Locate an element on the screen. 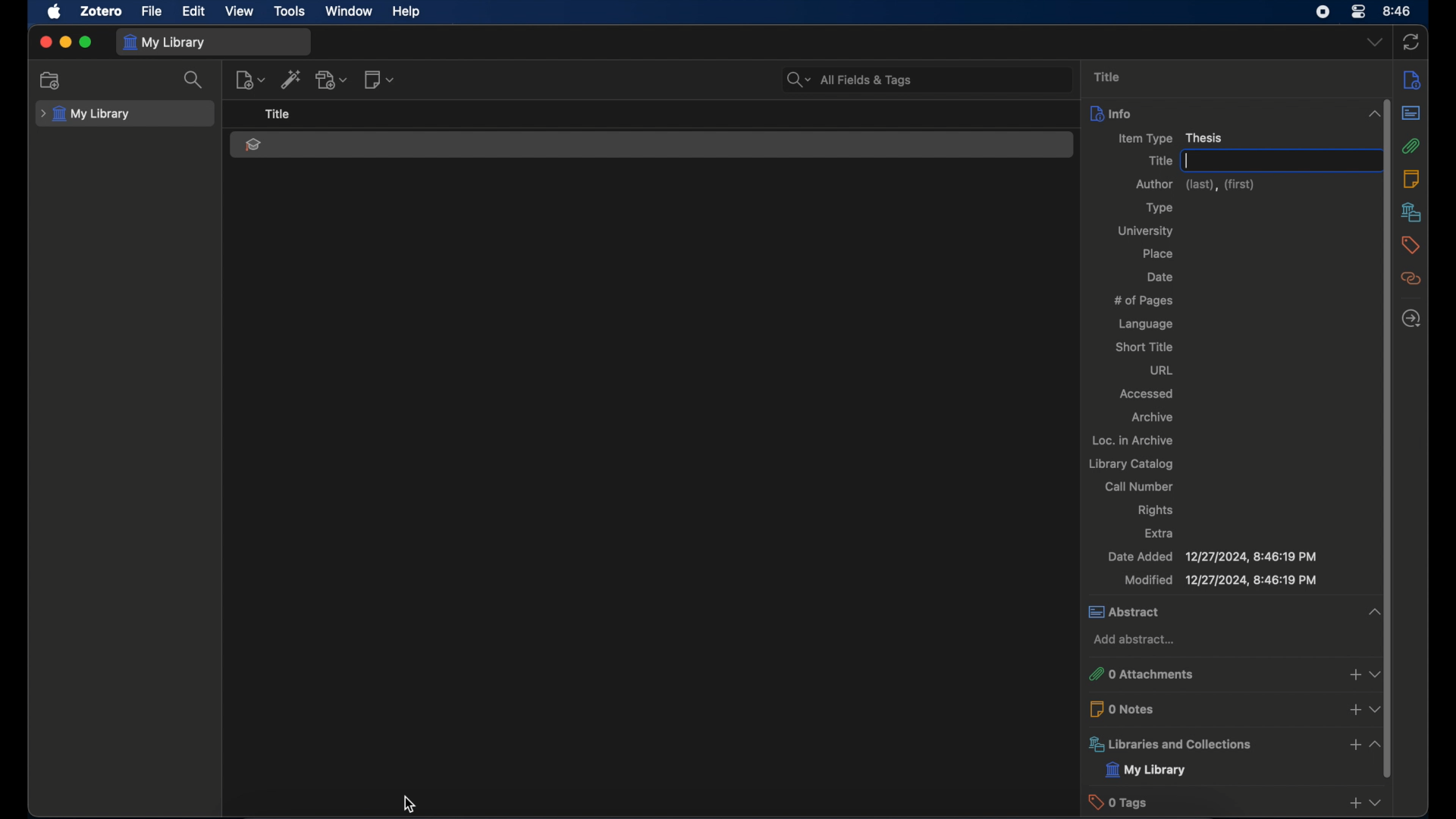 The width and height of the screenshot is (1456, 819). tags is located at coordinates (1410, 245).